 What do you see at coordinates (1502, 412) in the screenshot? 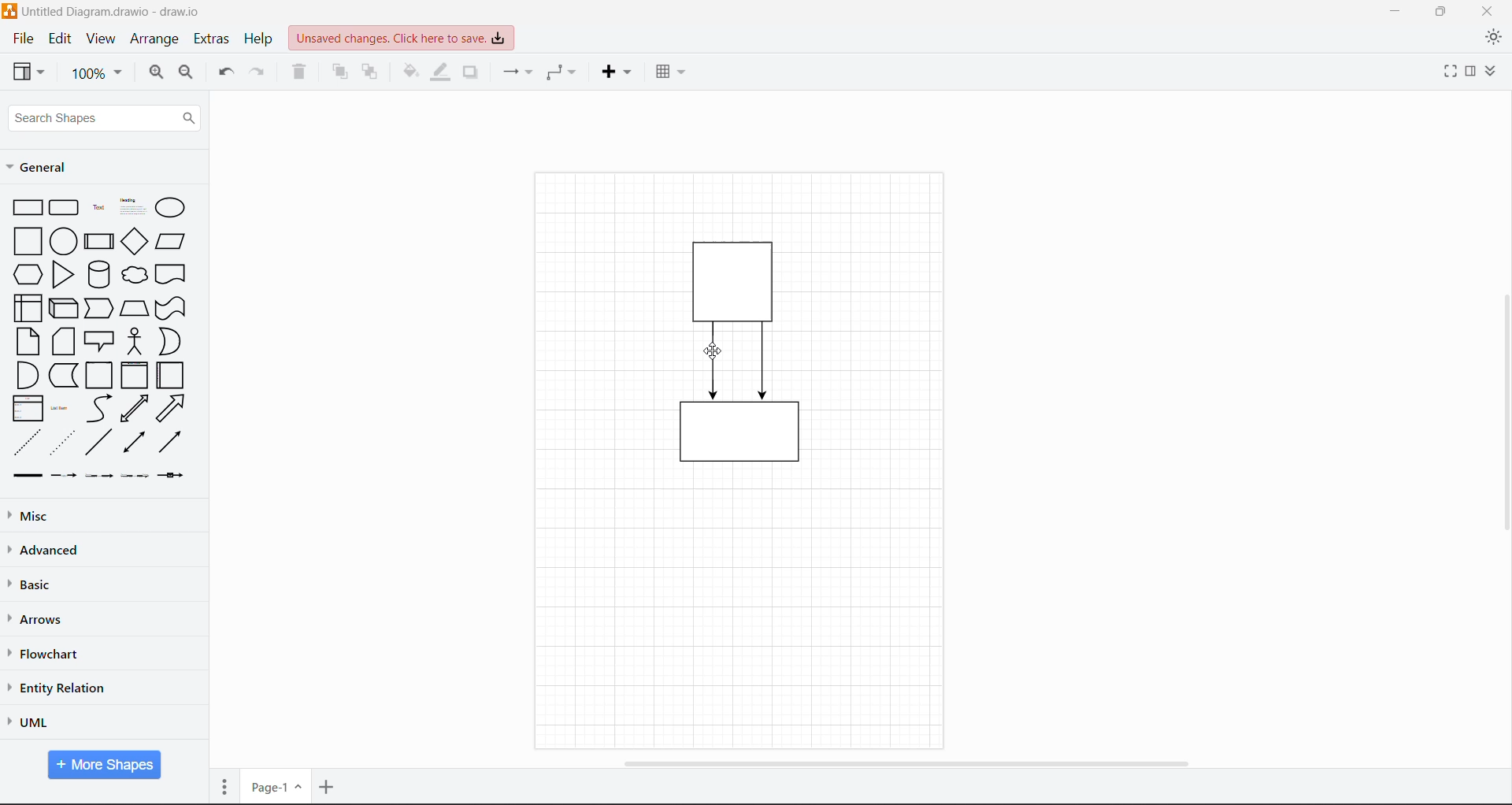
I see `Vertical Scroll Bar` at bounding box center [1502, 412].